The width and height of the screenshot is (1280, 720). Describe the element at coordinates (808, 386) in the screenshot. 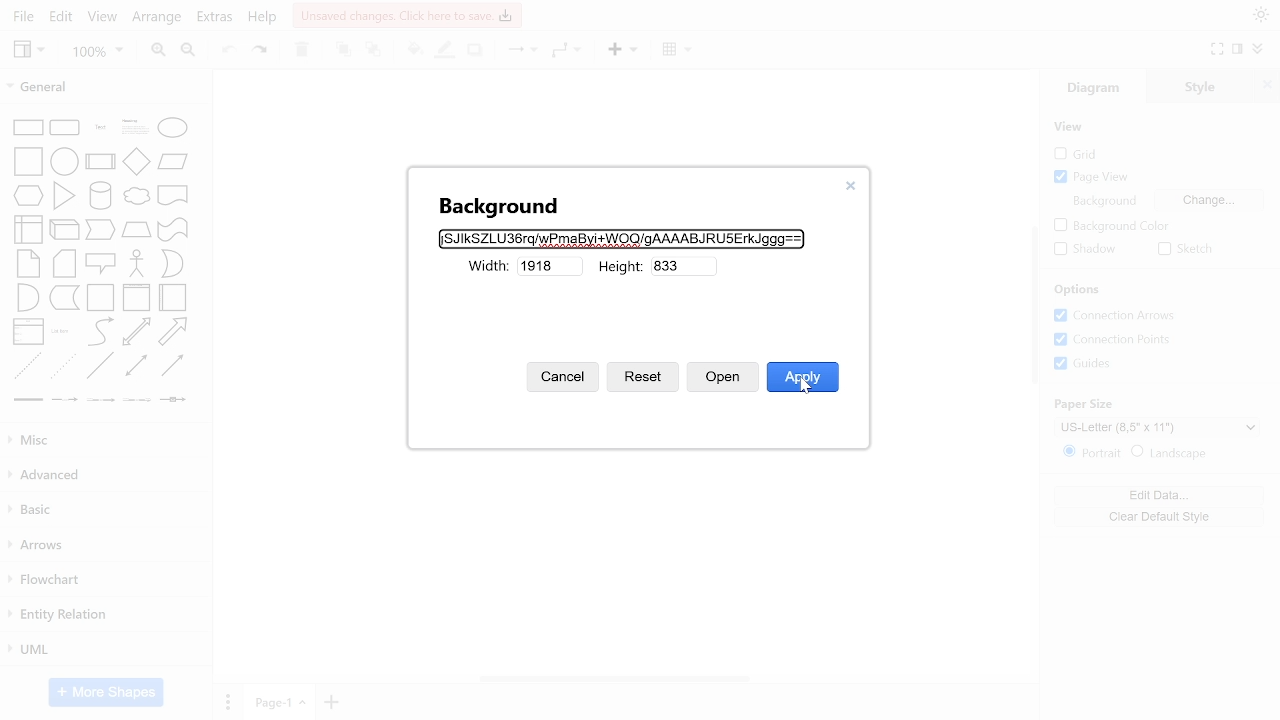

I see `Cursor` at that location.